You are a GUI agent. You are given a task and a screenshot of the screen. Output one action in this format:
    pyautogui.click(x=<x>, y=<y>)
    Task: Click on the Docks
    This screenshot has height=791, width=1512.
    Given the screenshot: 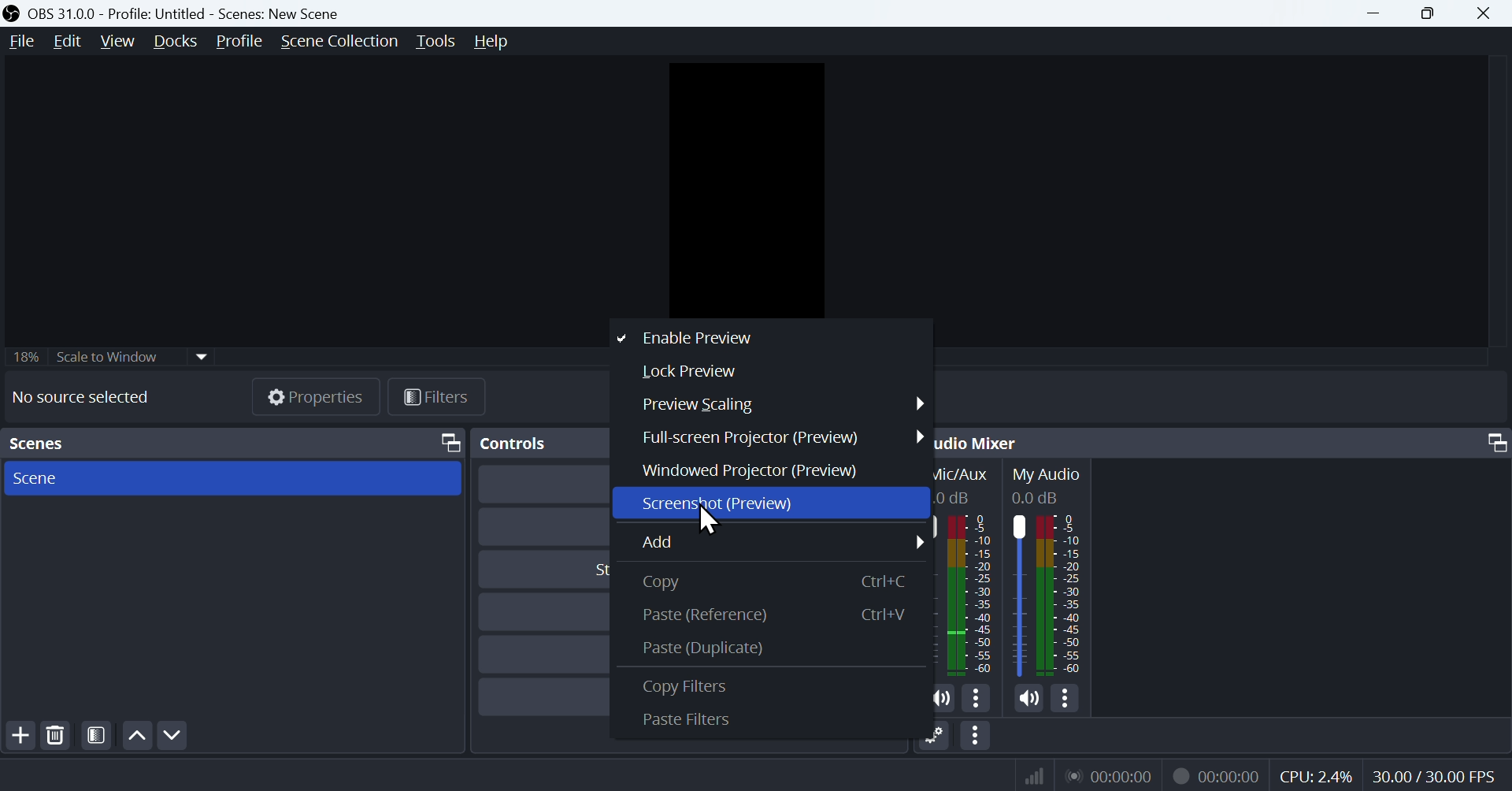 What is the action you would take?
    pyautogui.click(x=175, y=41)
    